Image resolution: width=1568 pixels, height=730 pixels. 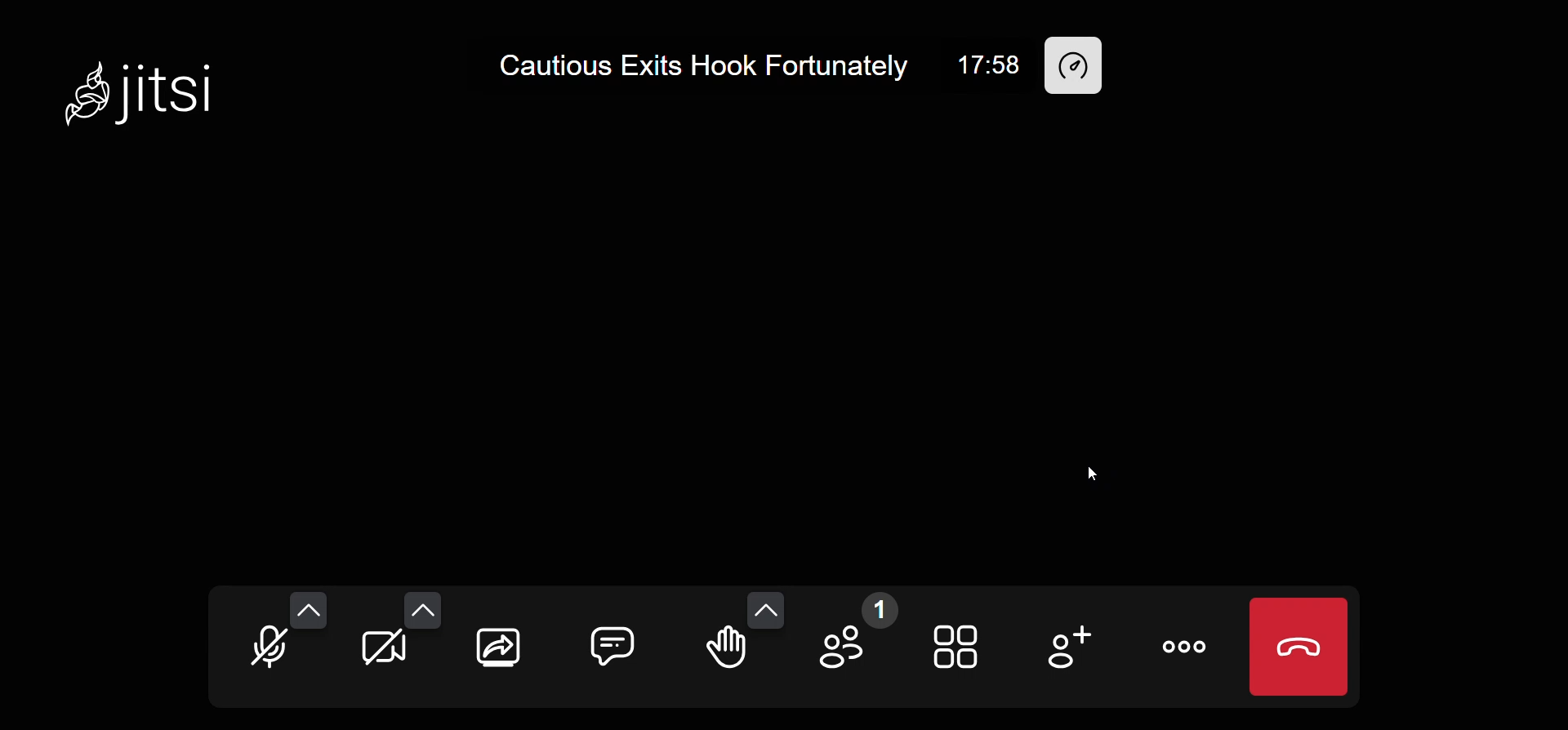 What do you see at coordinates (1078, 65) in the screenshot?
I see `performance setting` at bounding box center [1078, 65].